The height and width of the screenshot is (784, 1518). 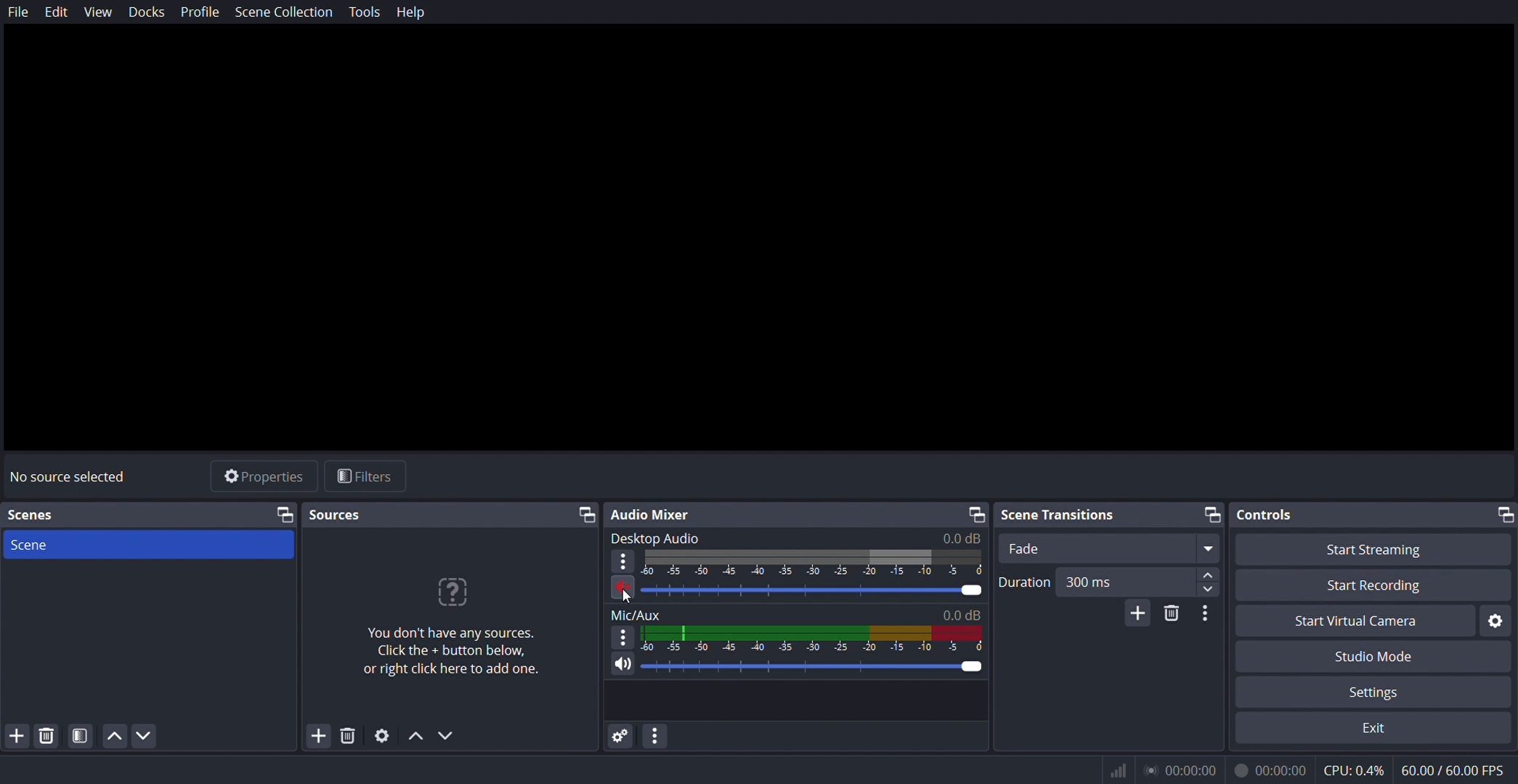 What do you see at coordinates (47, 737) in the screenshot?
I see `delete scene` at bounding box center [47, 737].